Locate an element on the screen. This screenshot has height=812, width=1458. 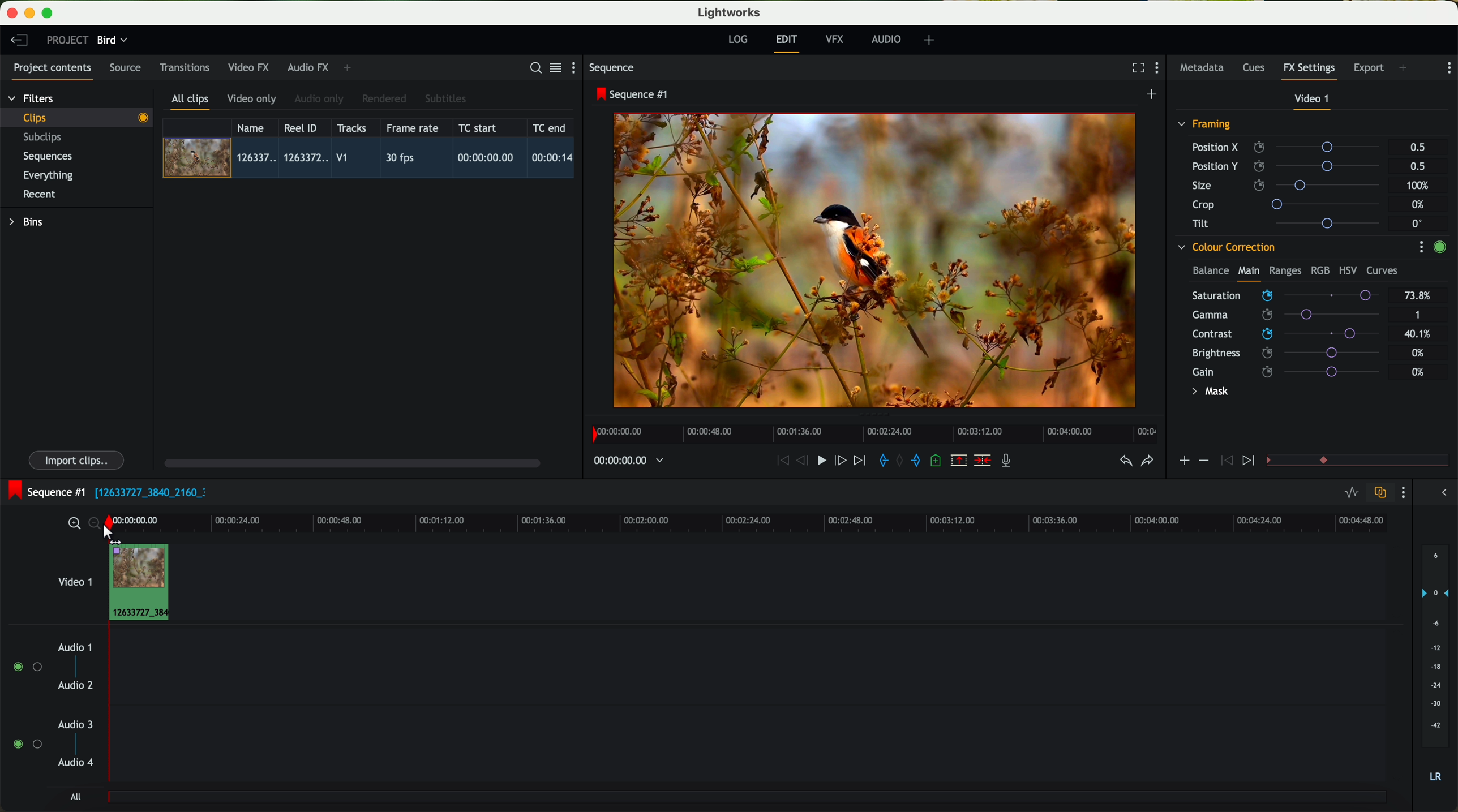
sequence is located at coordinates (612, 68).